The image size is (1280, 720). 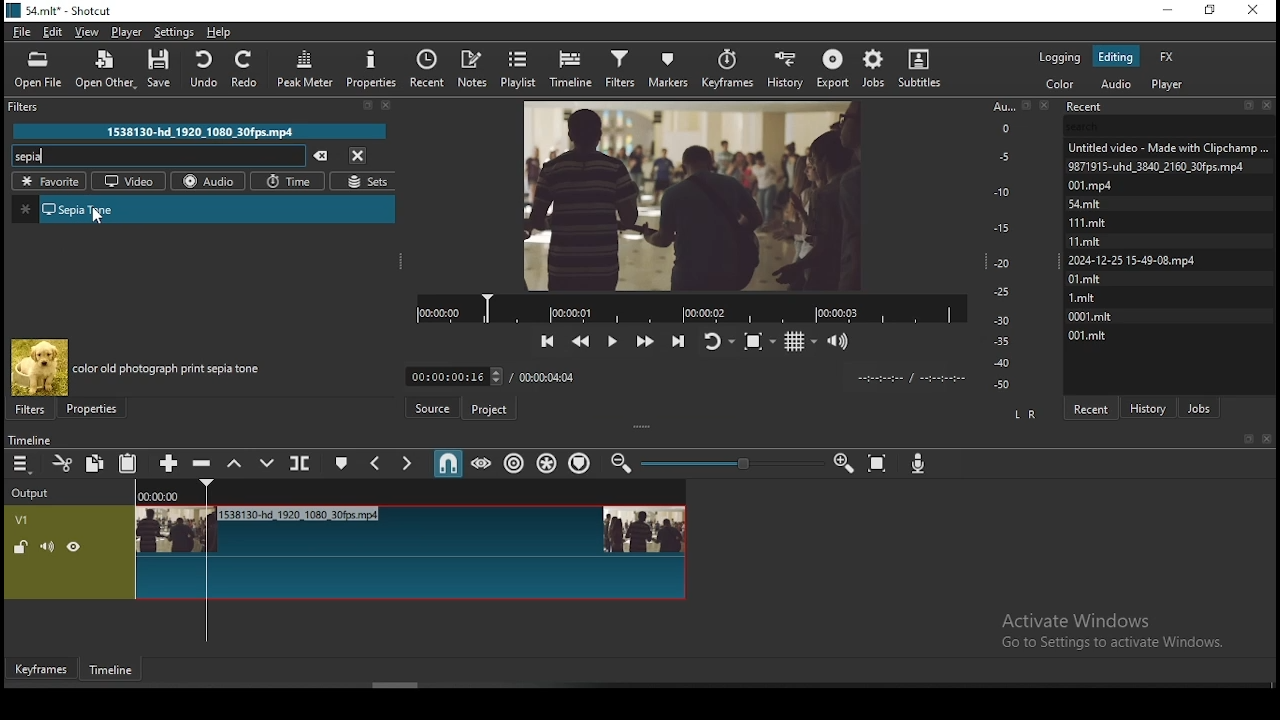 What do you see at coordinates (433, 408) in the screenshot?
I see `source` at bounding box center [433, 408].